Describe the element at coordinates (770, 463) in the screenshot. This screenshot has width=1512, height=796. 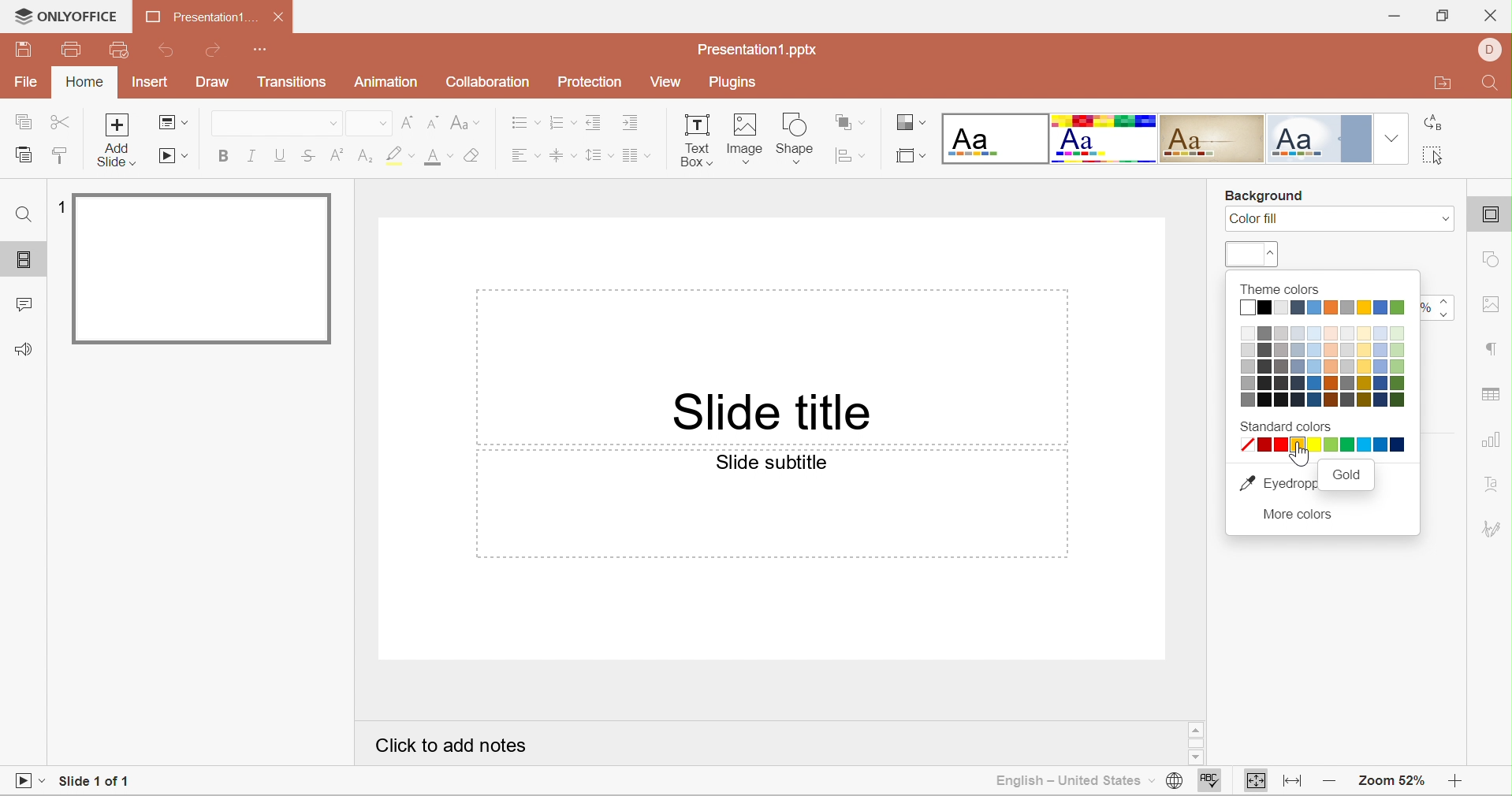
I see `Slide subtitle` at that location.